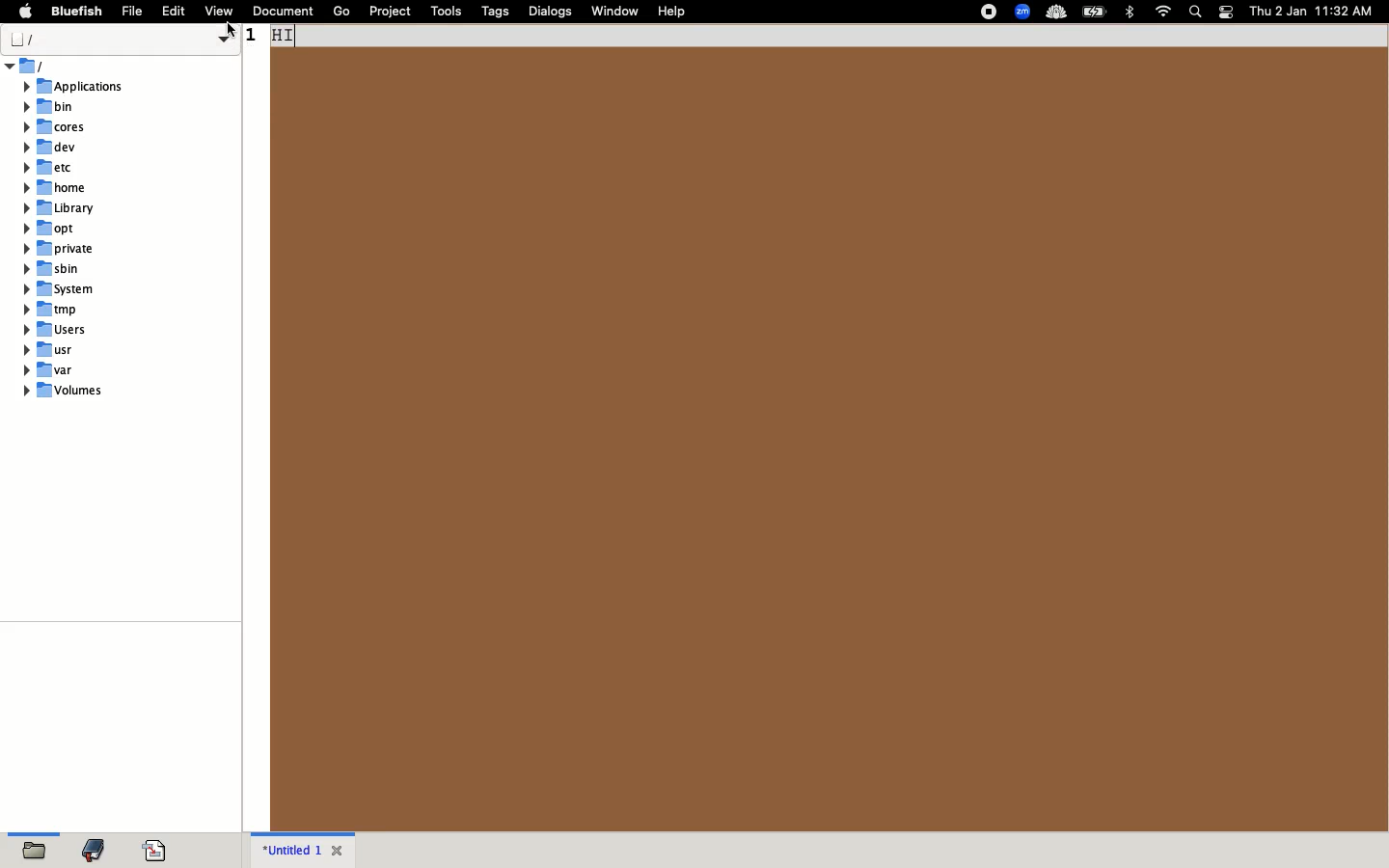 The image size is (1389, 868). Describe the element at coordinates (616, 11) in the screenshot. I see `window` at that location.